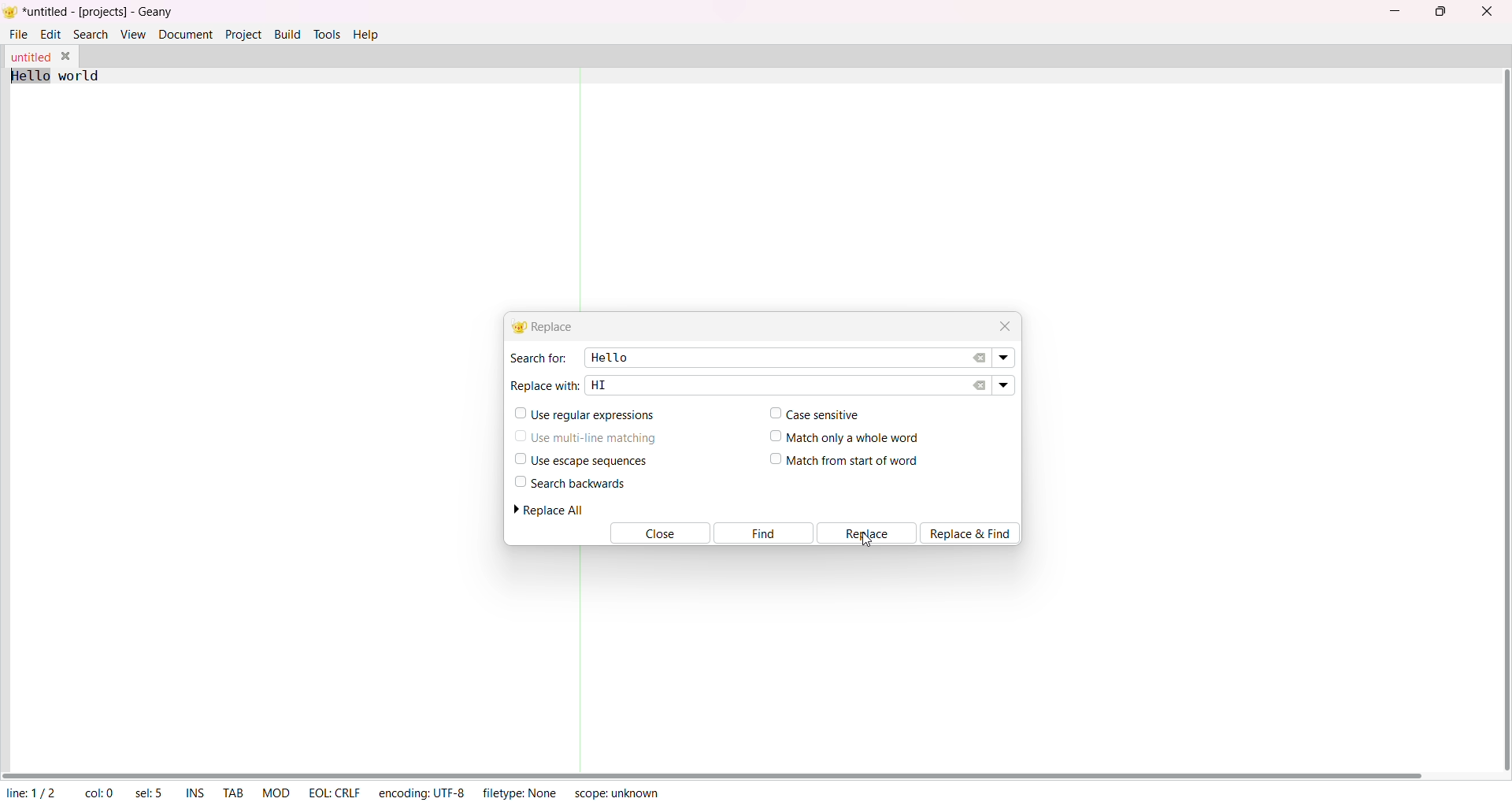  I want to click on replace dropdown, so click(1003, 384).